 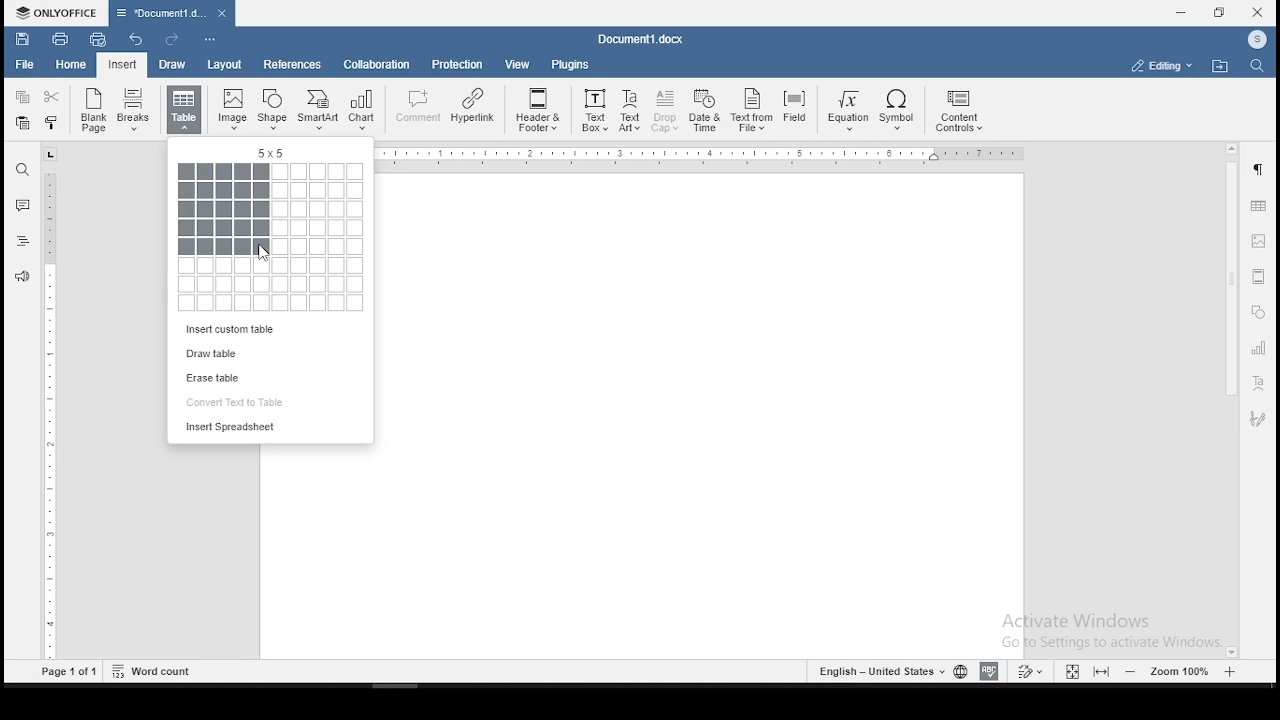 I want to click on Document3.docx, so click(x=644, y=39).